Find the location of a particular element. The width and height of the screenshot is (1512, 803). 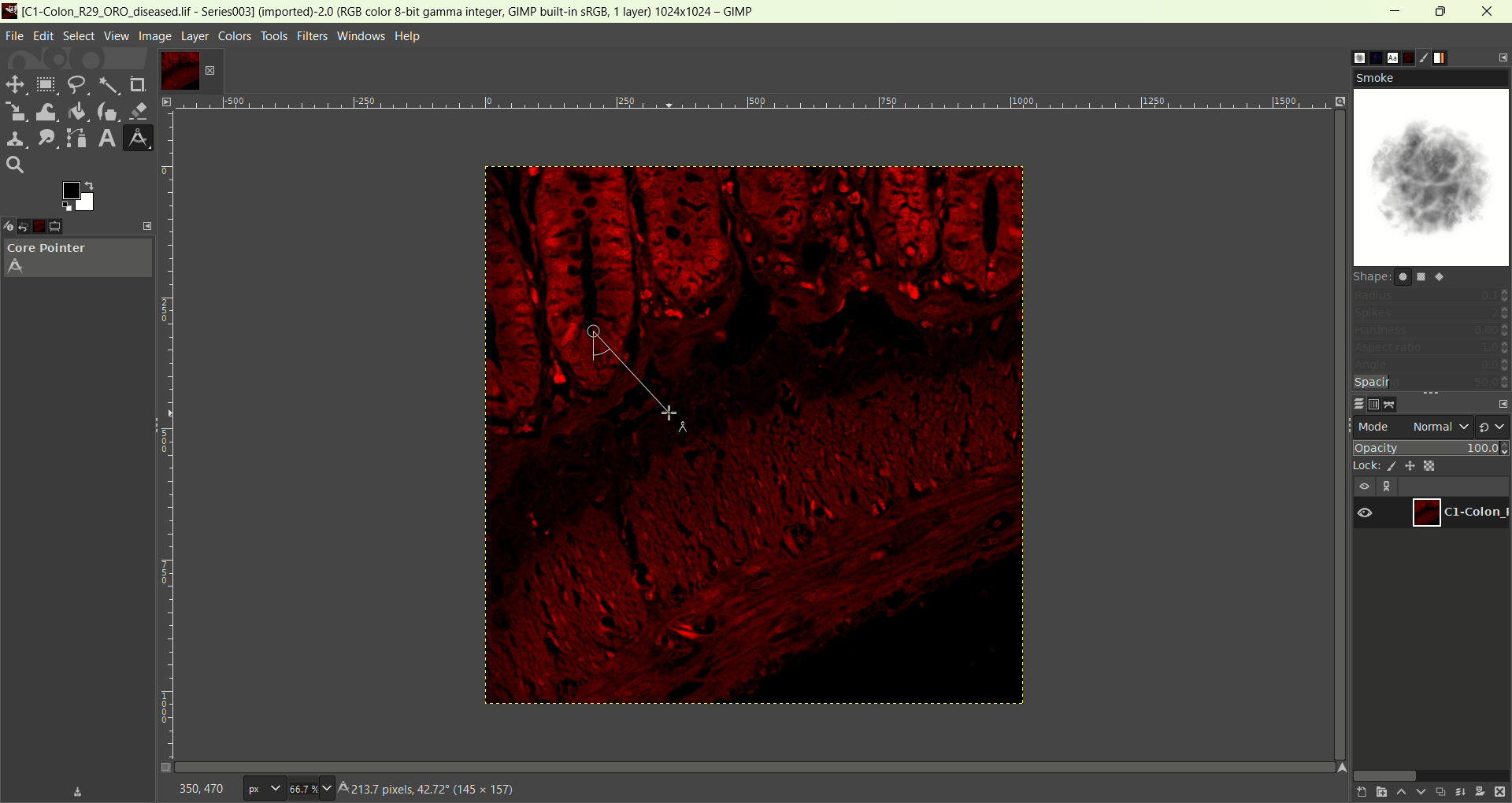

layer is located at coordinates (195, 37).